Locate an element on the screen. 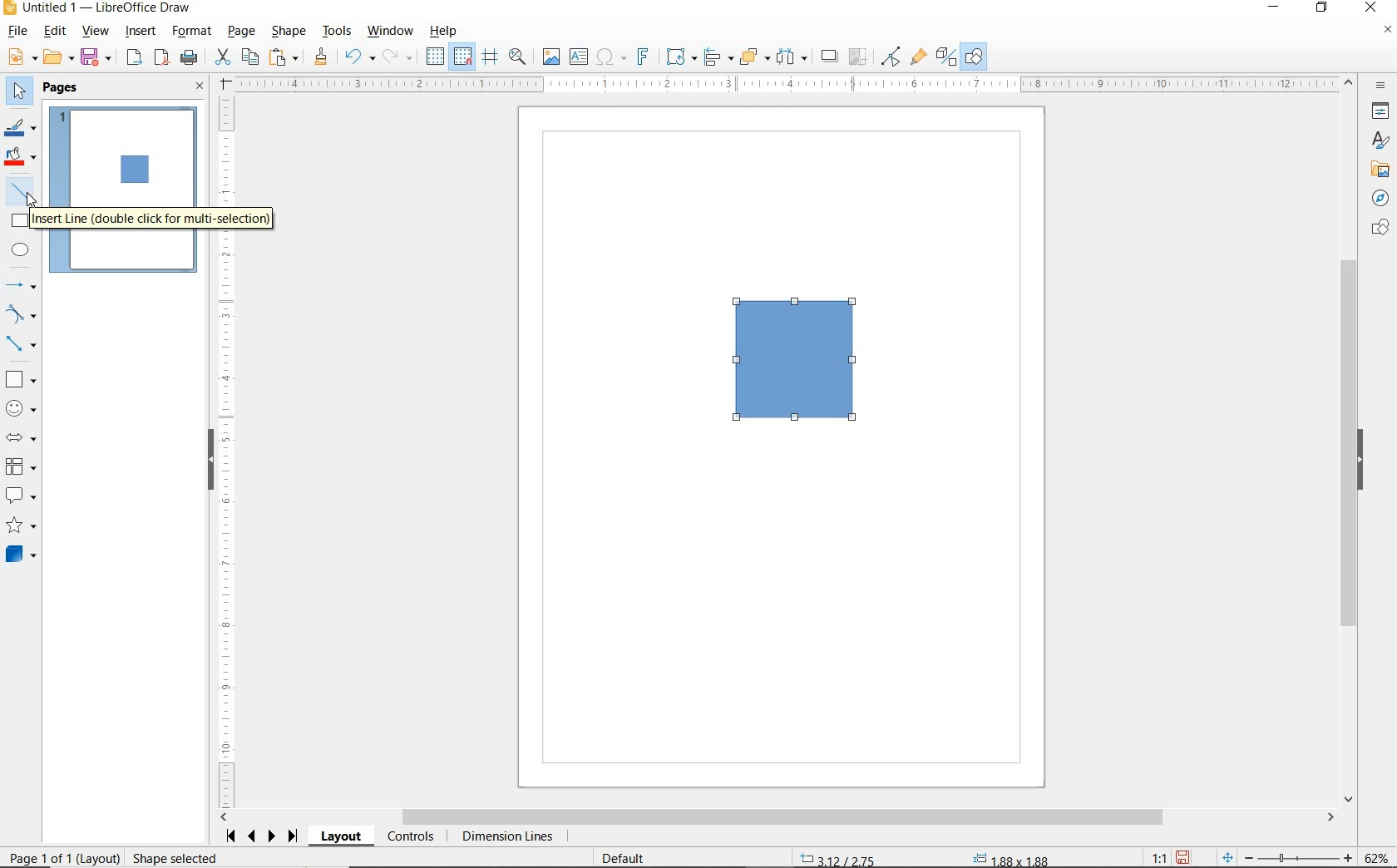 This screenshot has width=1397, height=868. PAGE is located at coordinates (243, 32).